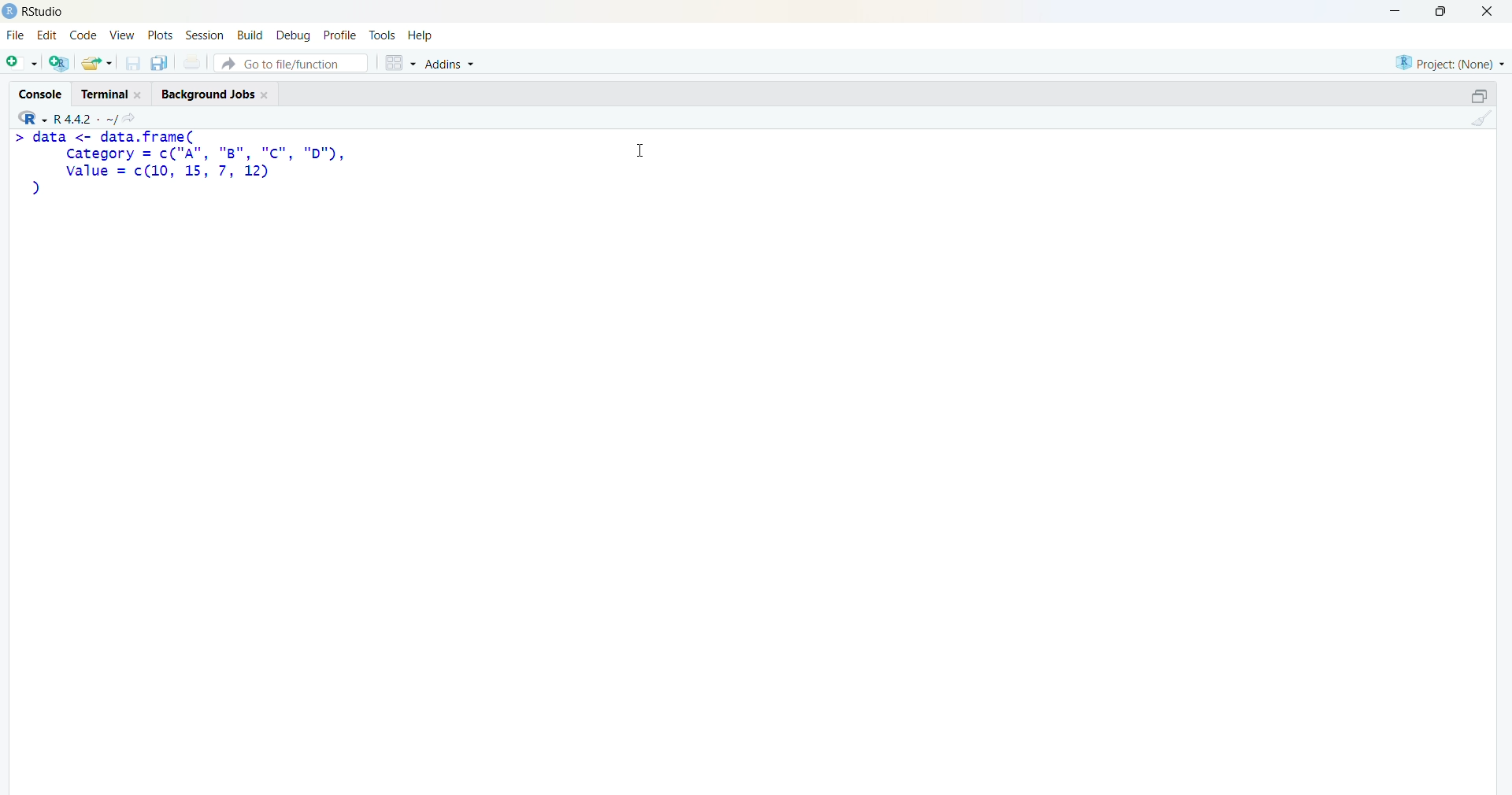  I want to click on save current document, so click(132, 63).